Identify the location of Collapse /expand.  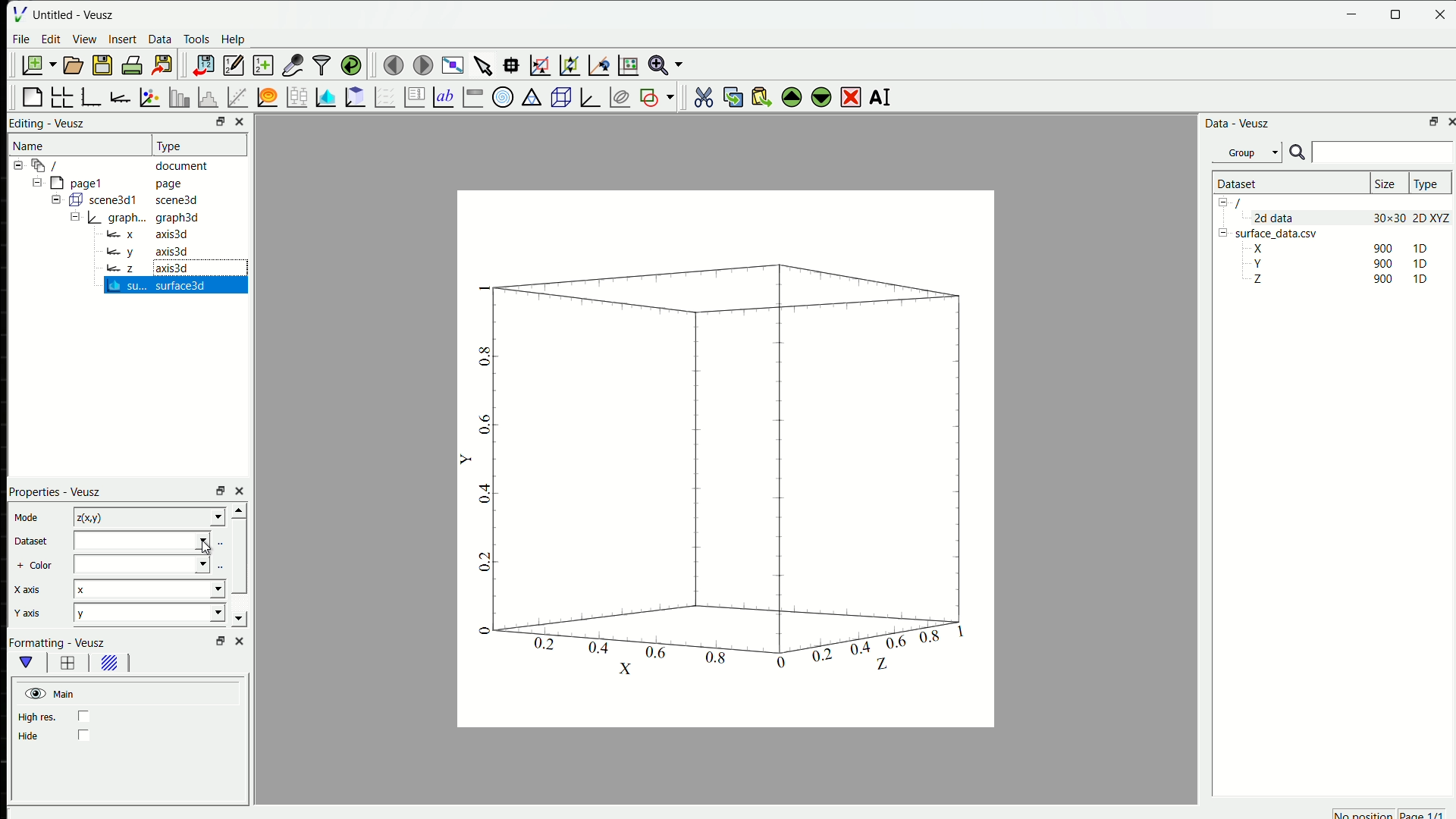
(20, 165).